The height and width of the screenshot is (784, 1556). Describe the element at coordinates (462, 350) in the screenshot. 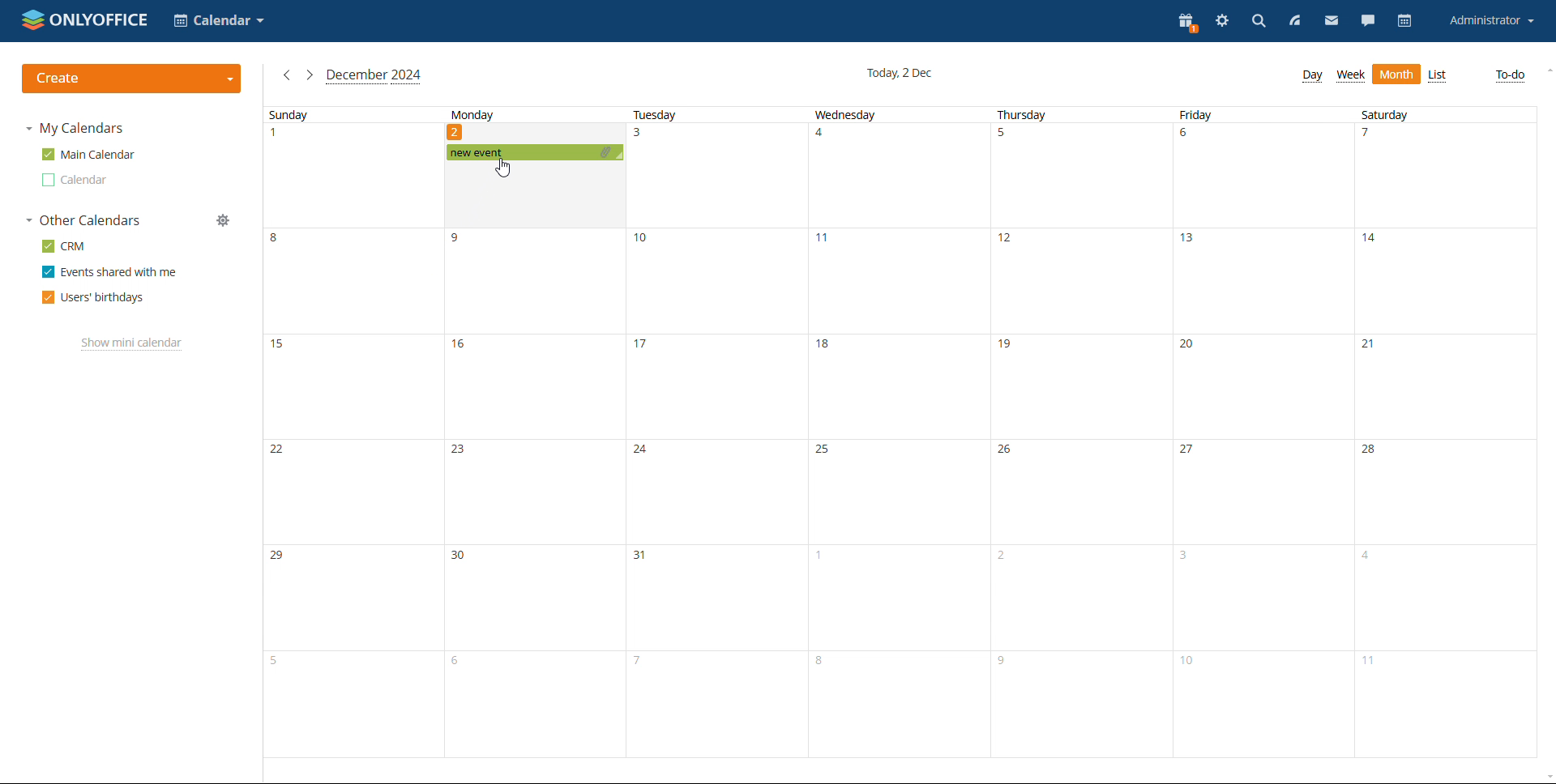

I see `16` at that location.